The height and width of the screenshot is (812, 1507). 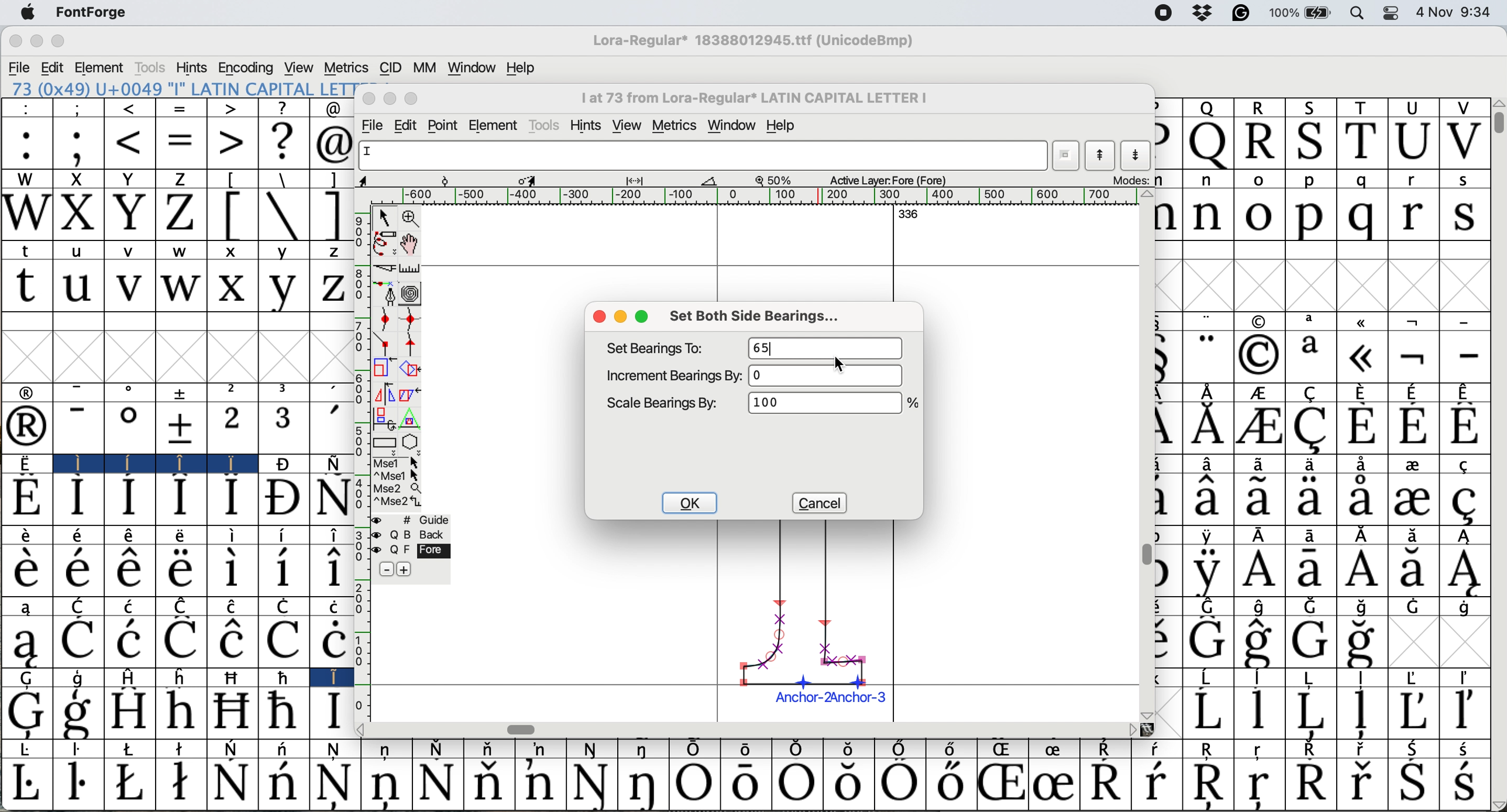 I want to click on @, so click(x=332, y=109).